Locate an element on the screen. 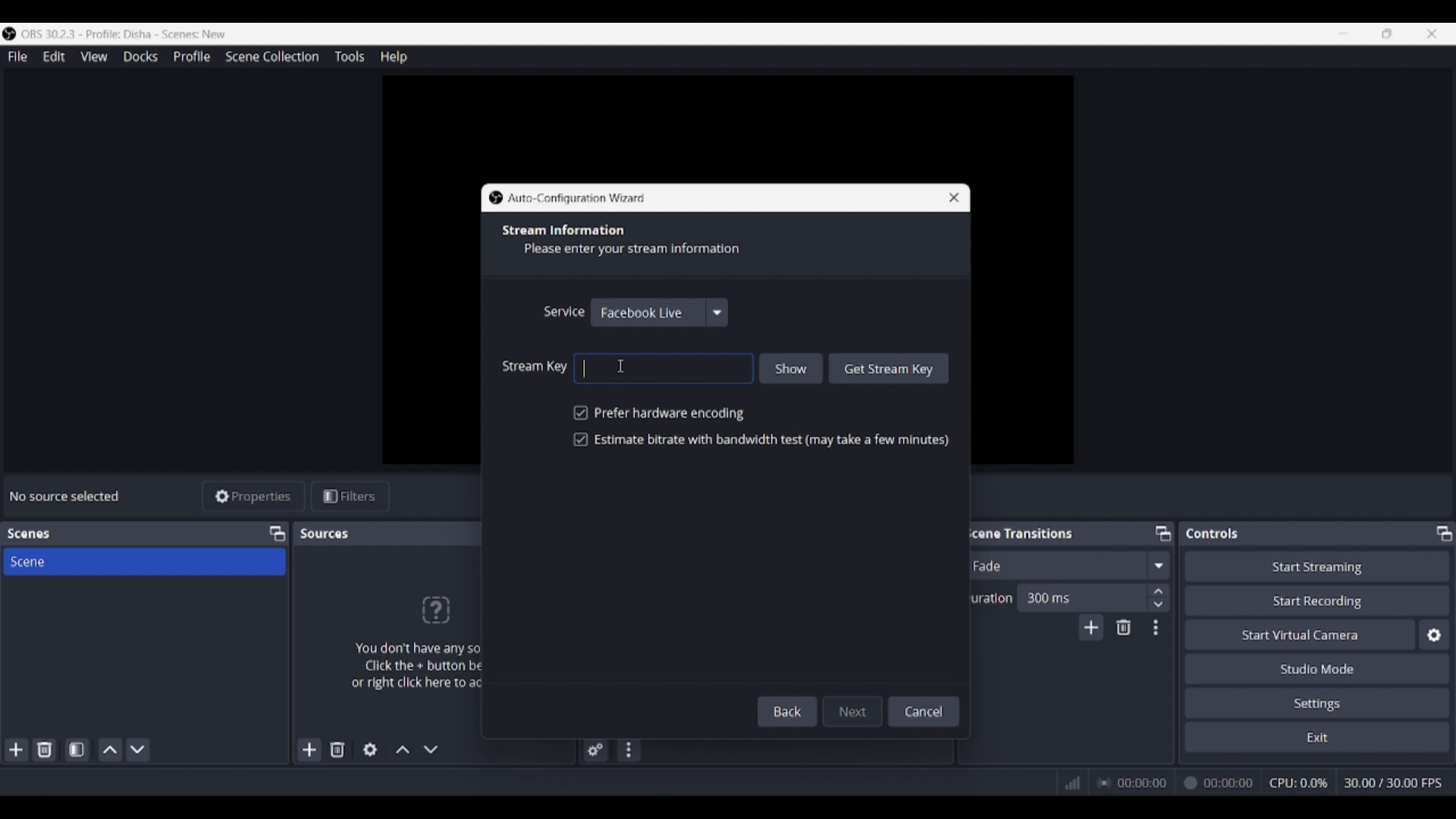  Source status is located at coordinates (67, 496).